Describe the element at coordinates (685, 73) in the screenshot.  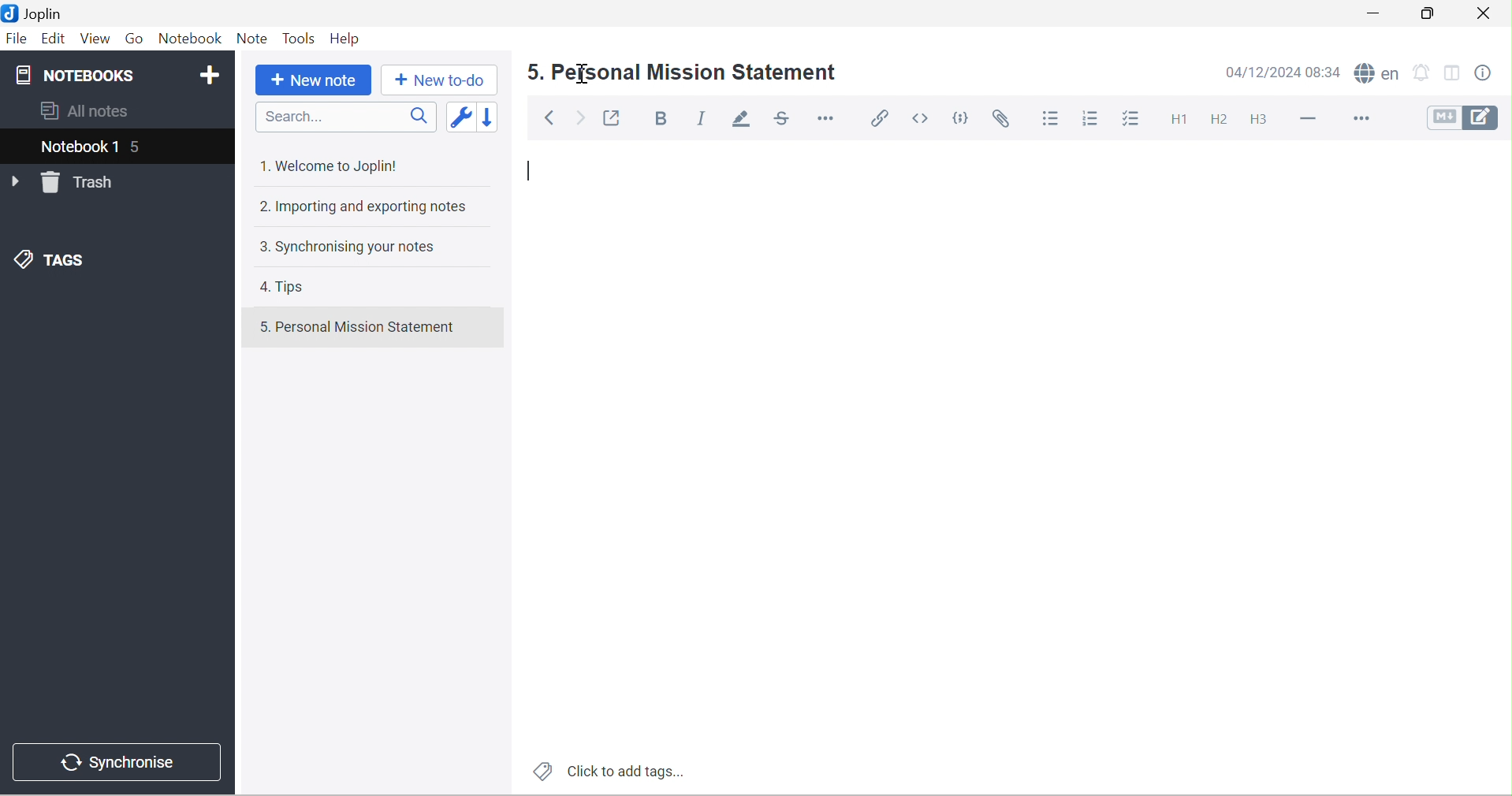
I see `5. Personal Mission Statement` at that location.